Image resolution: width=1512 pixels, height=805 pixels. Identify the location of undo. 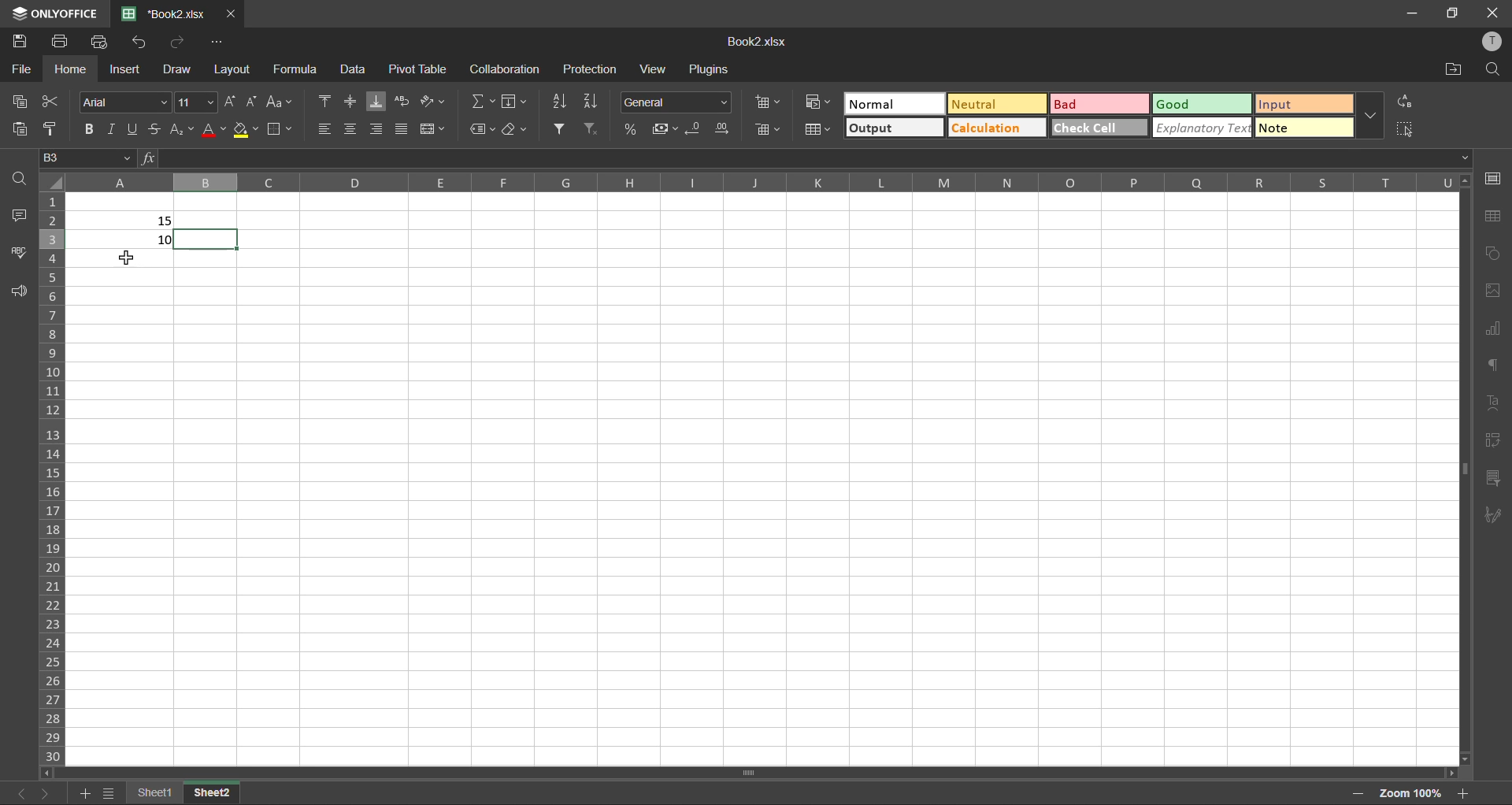
(143, 43).